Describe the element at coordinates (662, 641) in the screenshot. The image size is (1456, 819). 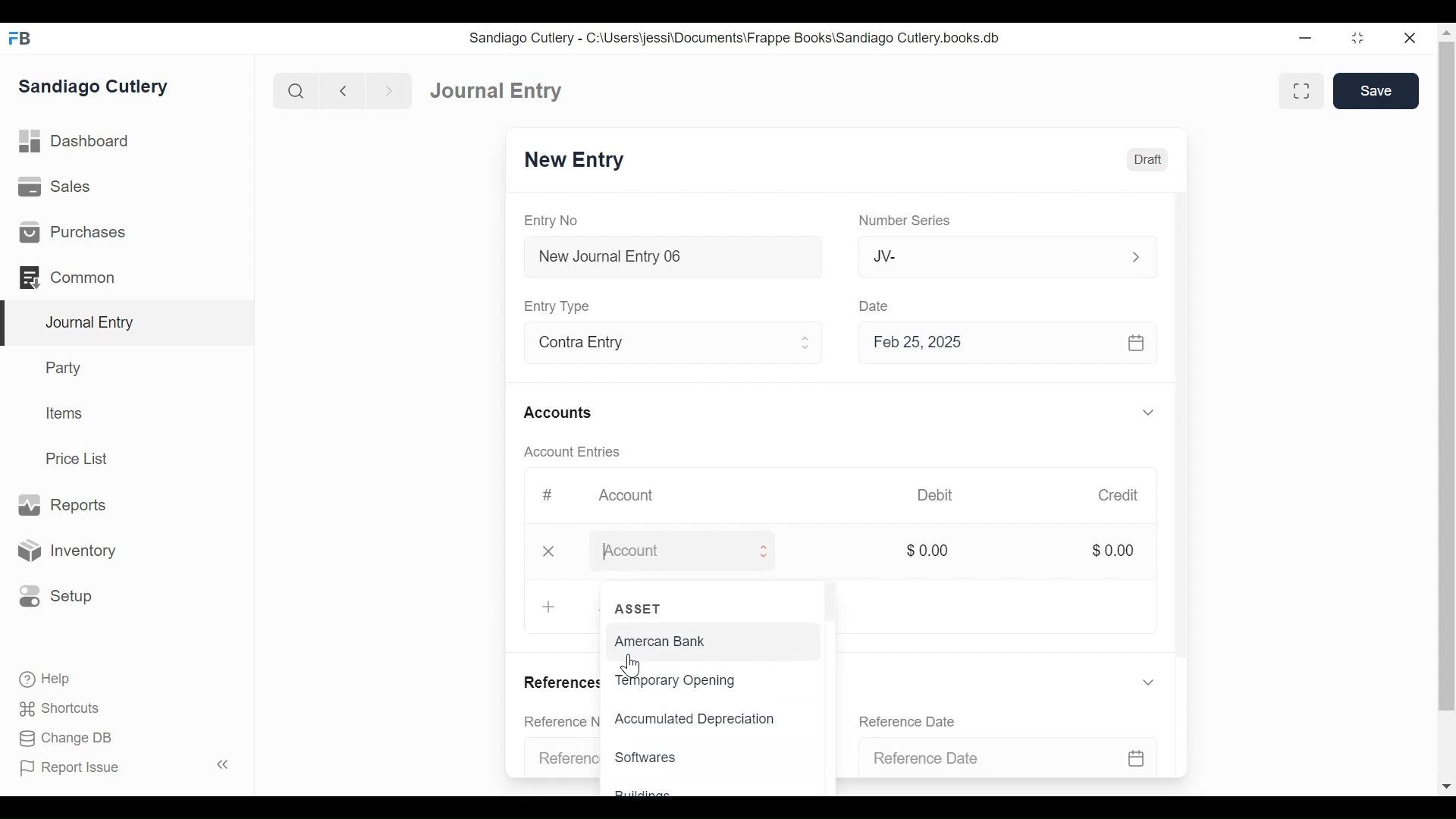
I see `Amercan Bank` at that location.